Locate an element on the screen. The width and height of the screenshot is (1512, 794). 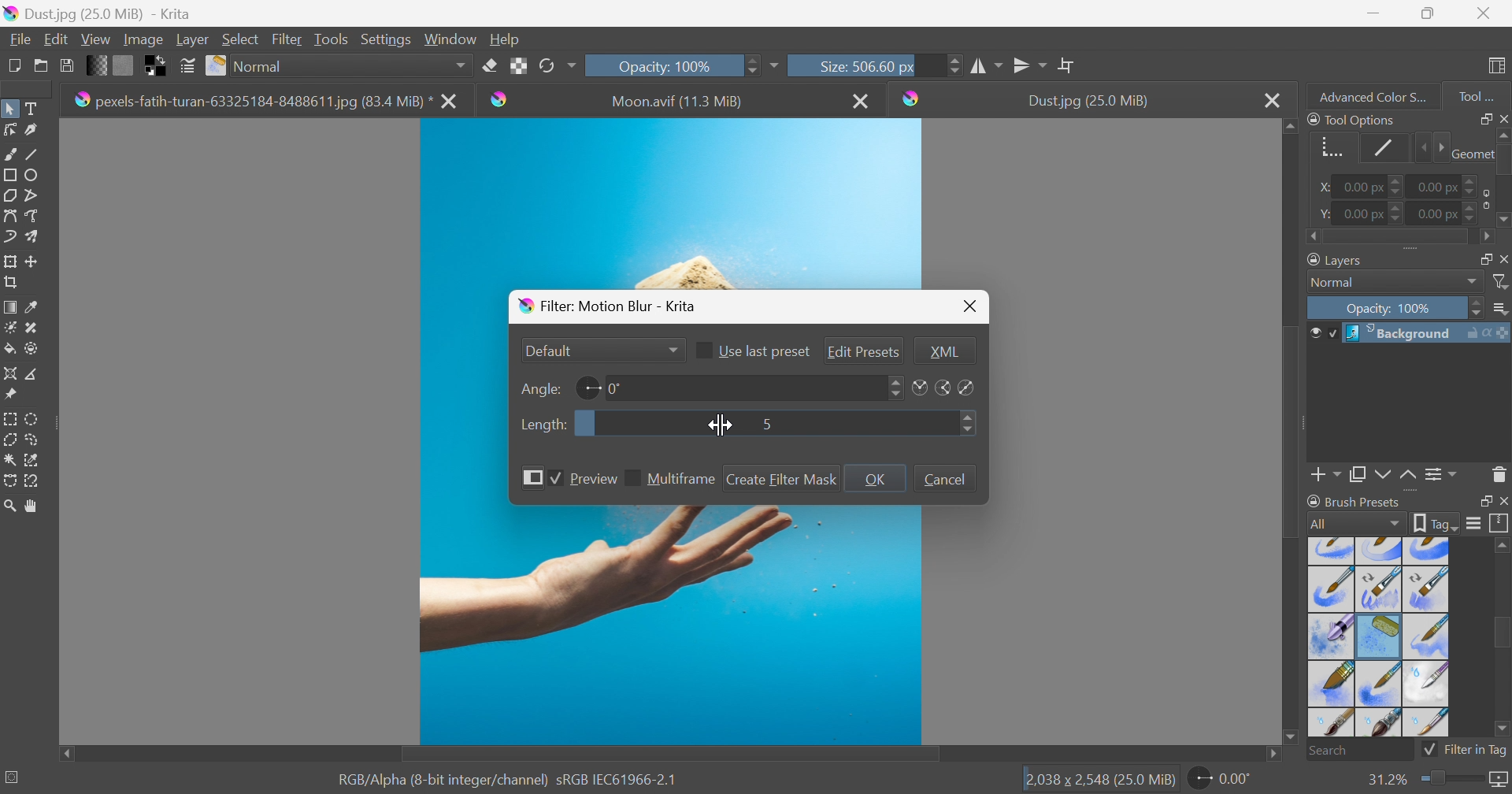
Tool... is located at coordinates (1484, 93).